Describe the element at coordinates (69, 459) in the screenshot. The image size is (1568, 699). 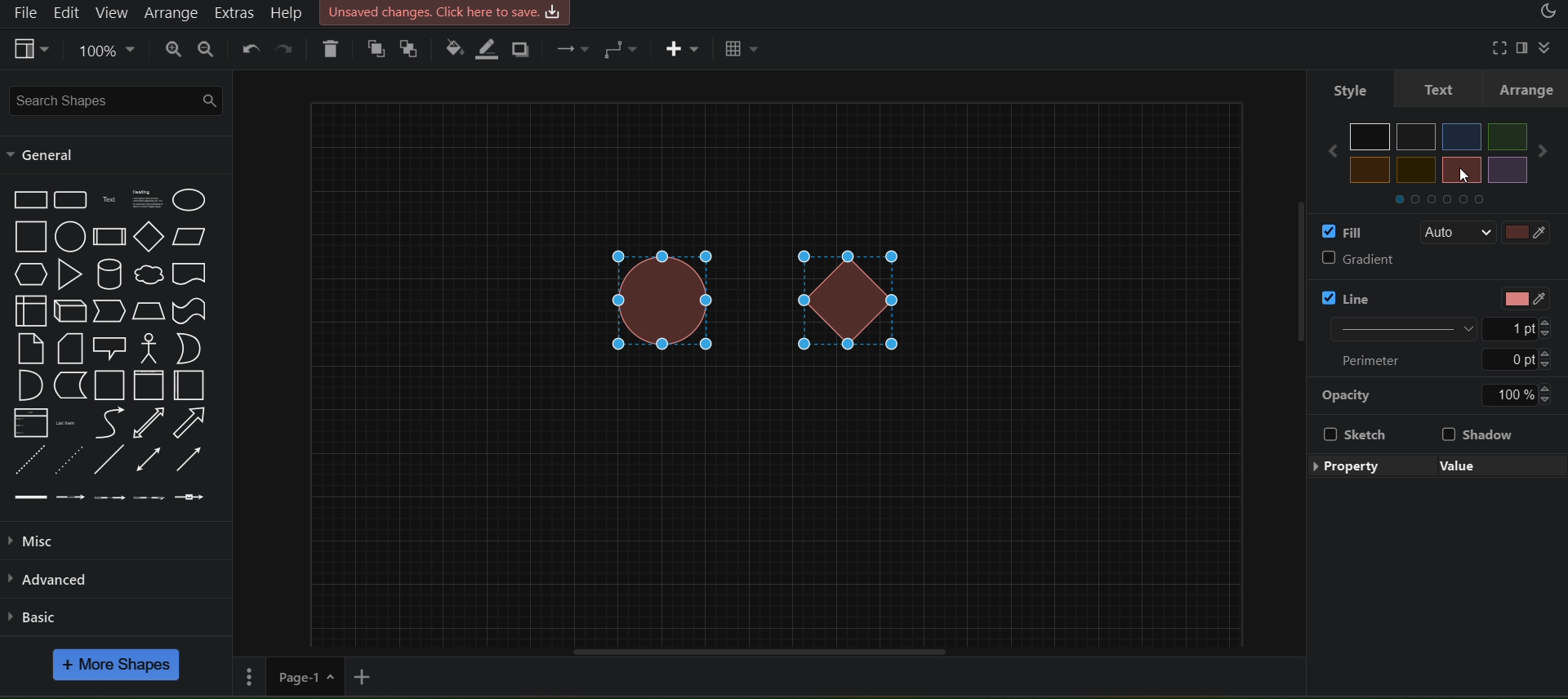
I see `Dotted Line` at that location.